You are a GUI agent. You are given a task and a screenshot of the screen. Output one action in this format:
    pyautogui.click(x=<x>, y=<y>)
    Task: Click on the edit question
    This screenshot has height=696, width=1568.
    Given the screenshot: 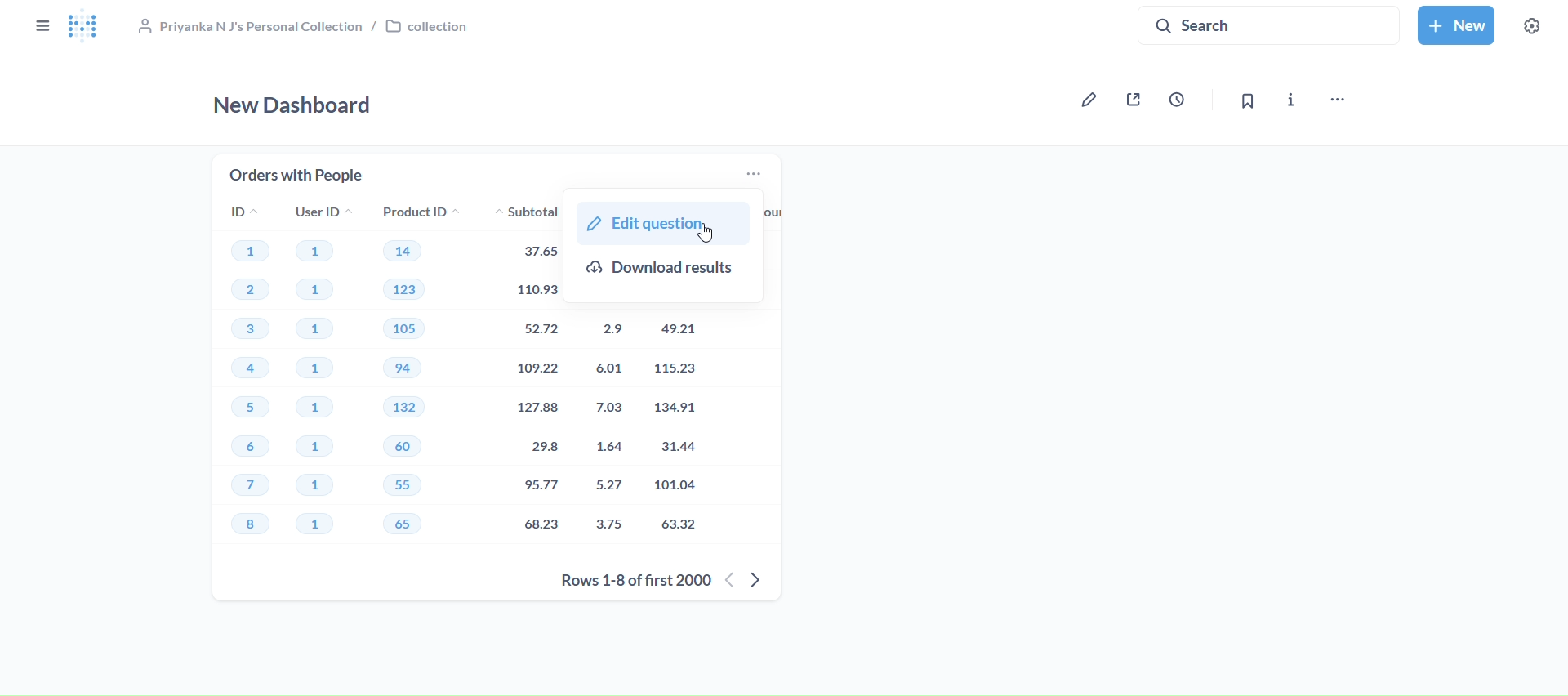 What is the action you would take?
    pyautogui.click(x=662, y=223)
    